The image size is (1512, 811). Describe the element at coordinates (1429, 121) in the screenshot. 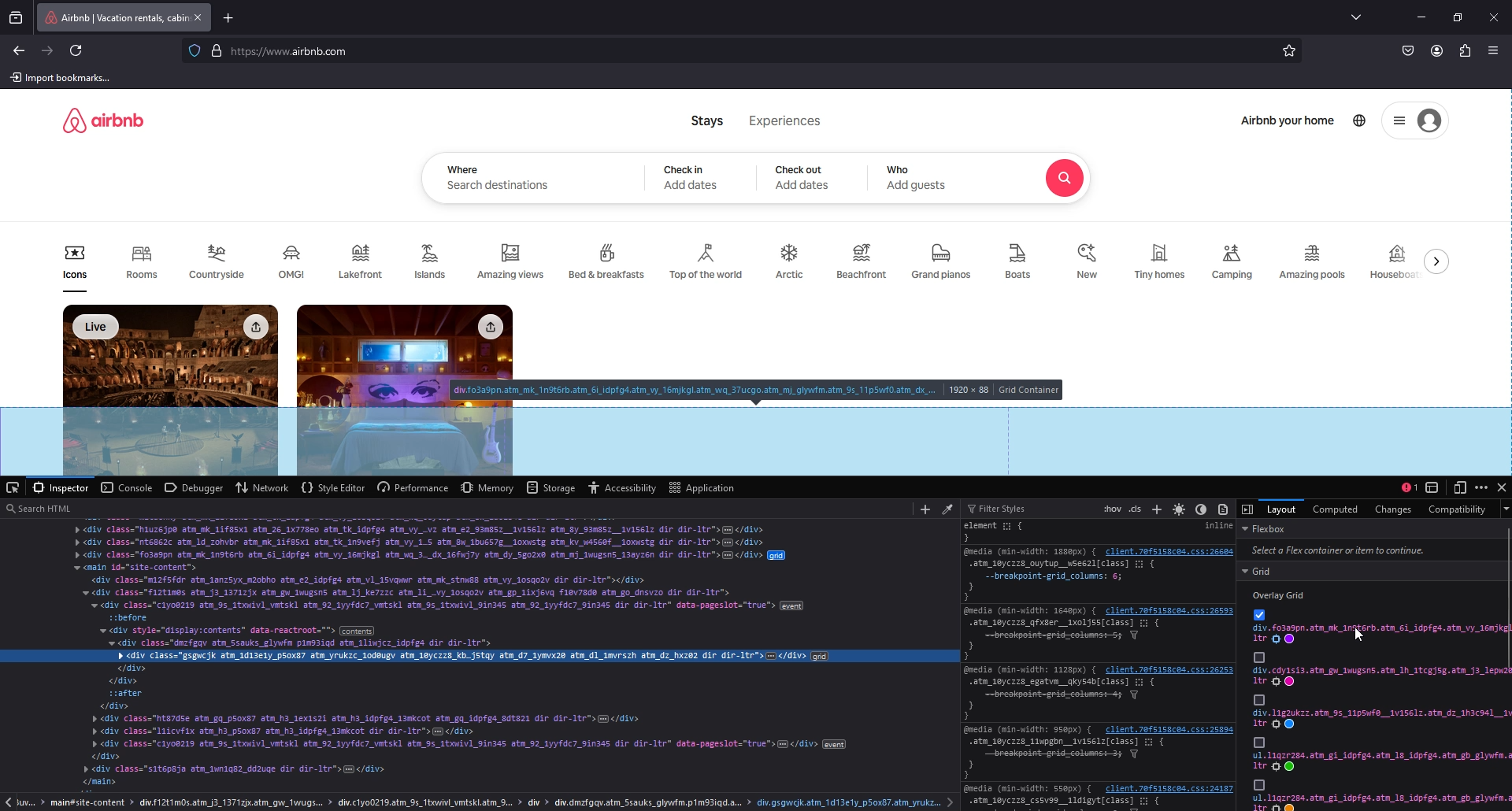

I see `Account avatar ` at that location.